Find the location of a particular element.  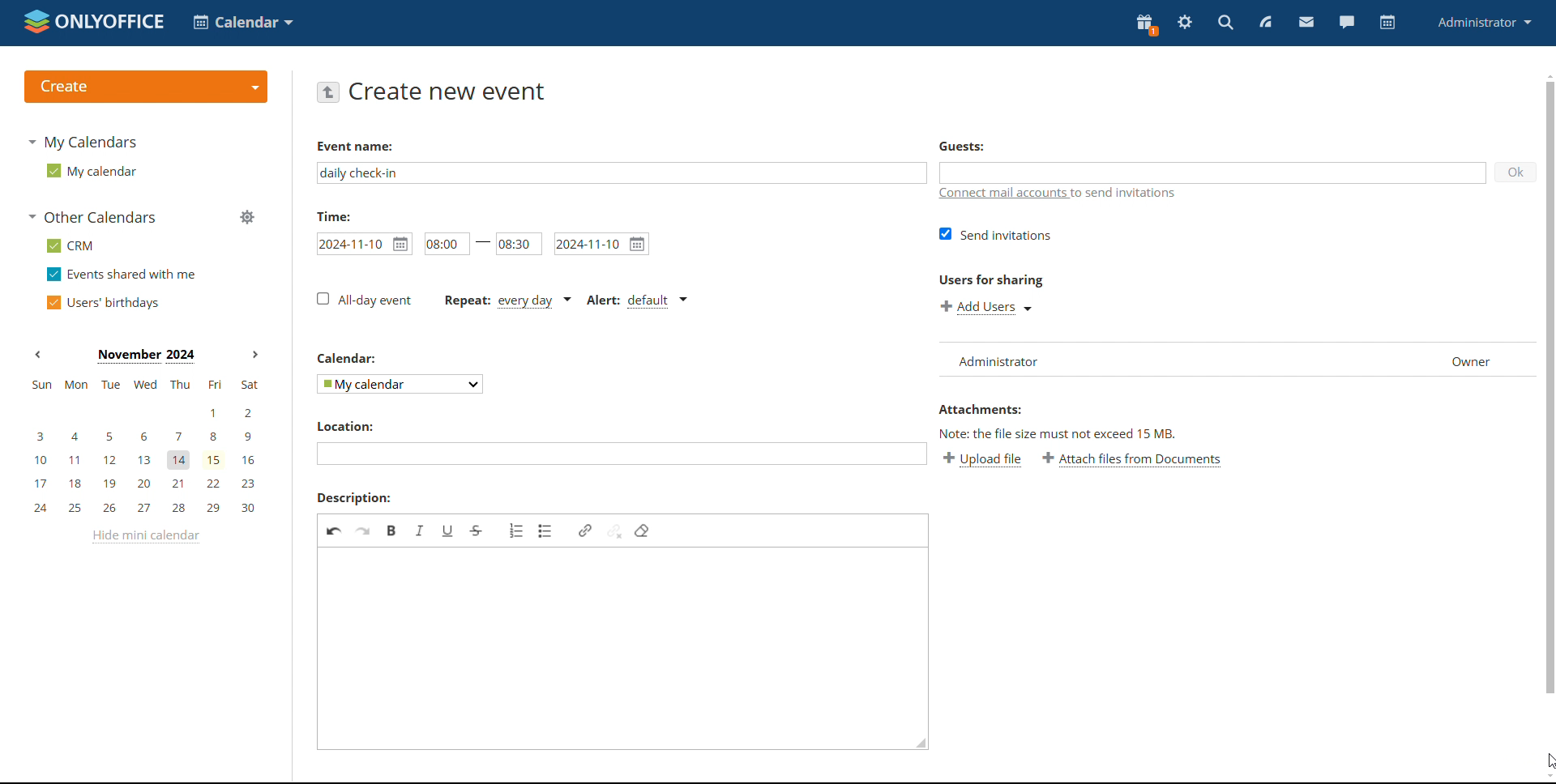

resize box is located at coordinates (921, 744).